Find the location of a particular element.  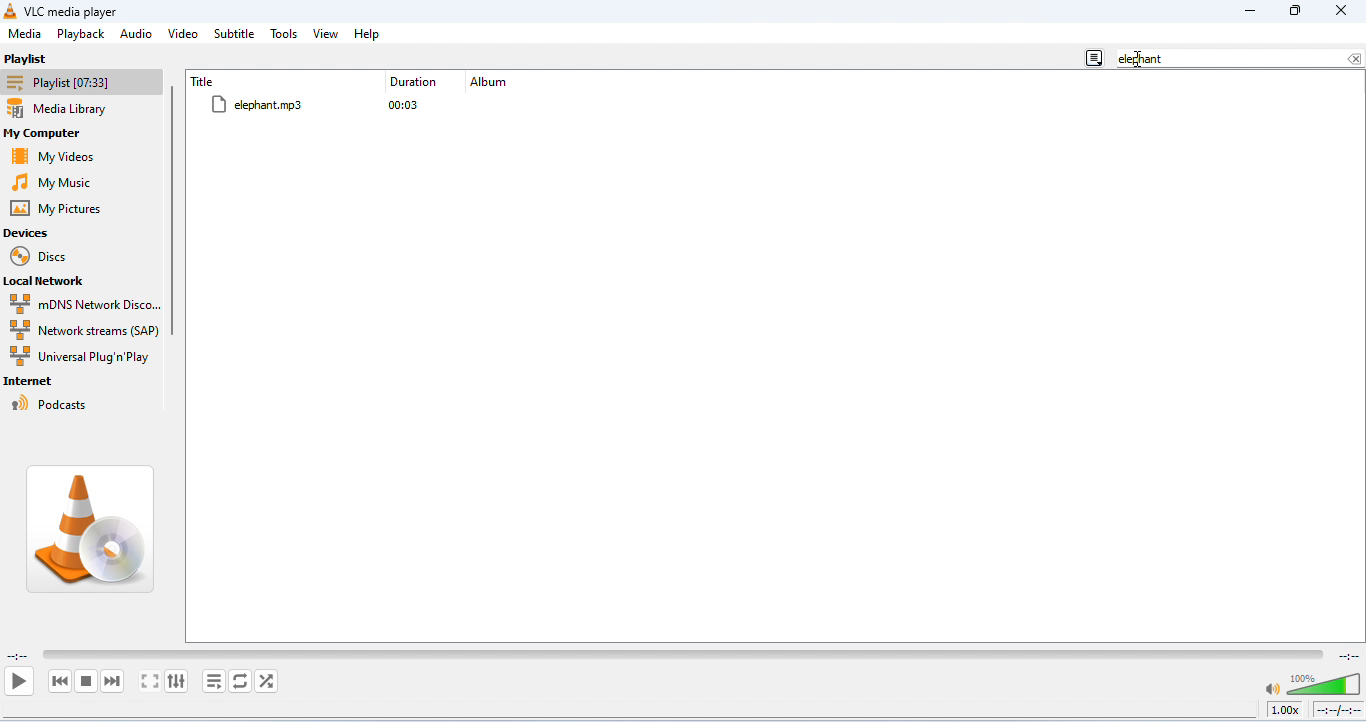

elapsed time is located at coordinates (18, 657).